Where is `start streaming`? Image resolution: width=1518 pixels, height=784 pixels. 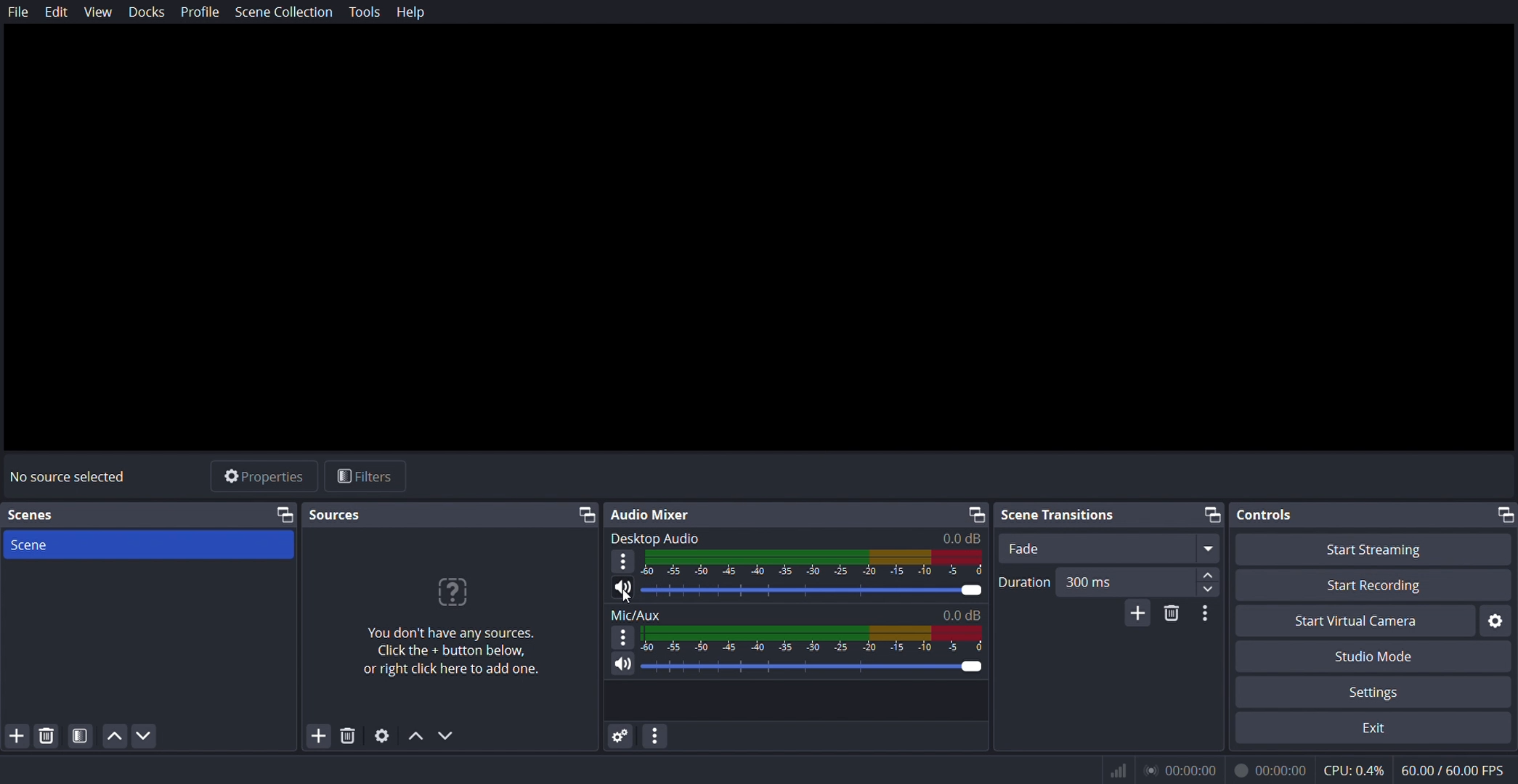
start streaming is located at coordinates (1378, 550).